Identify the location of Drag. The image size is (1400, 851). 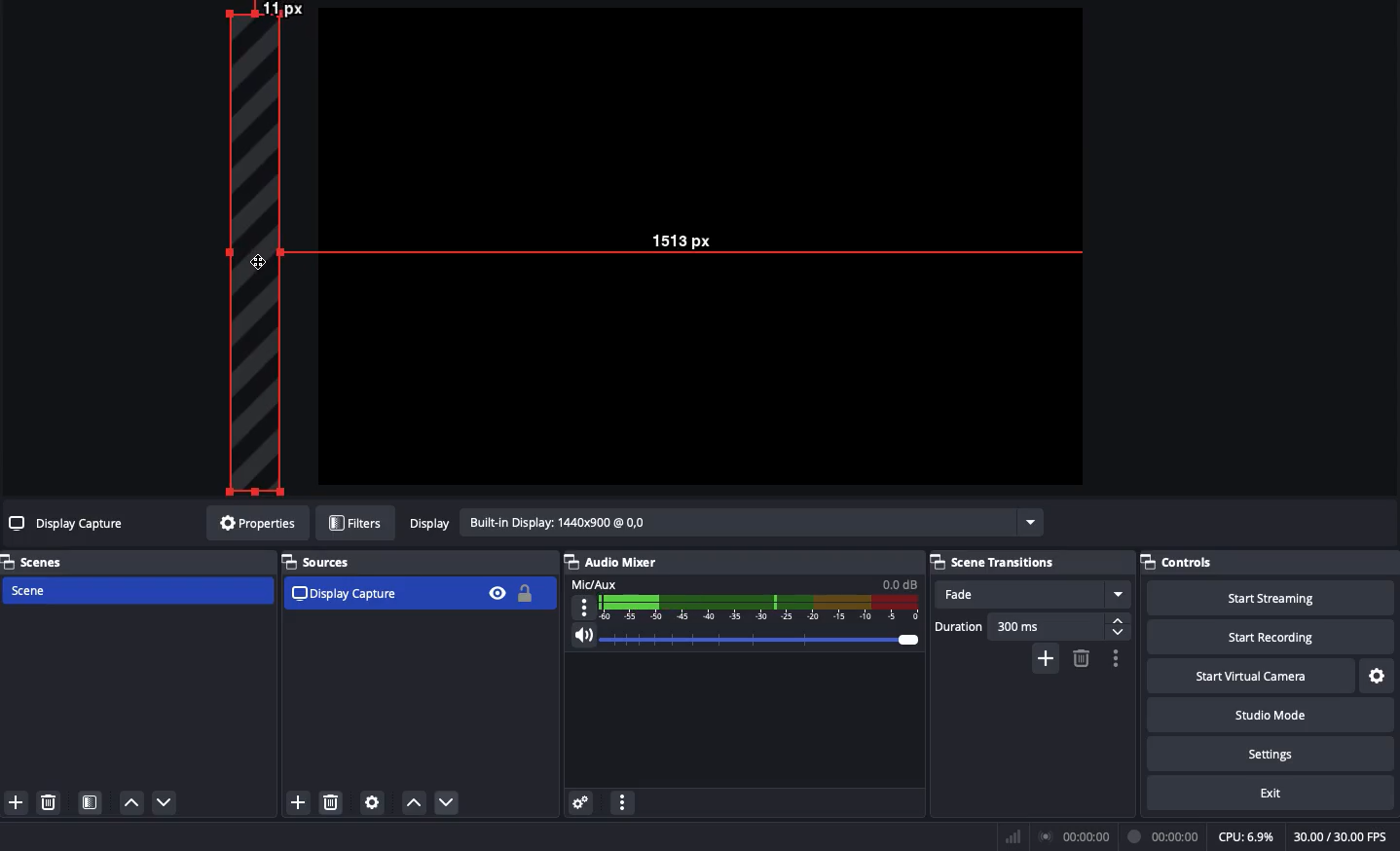
(250, 247).